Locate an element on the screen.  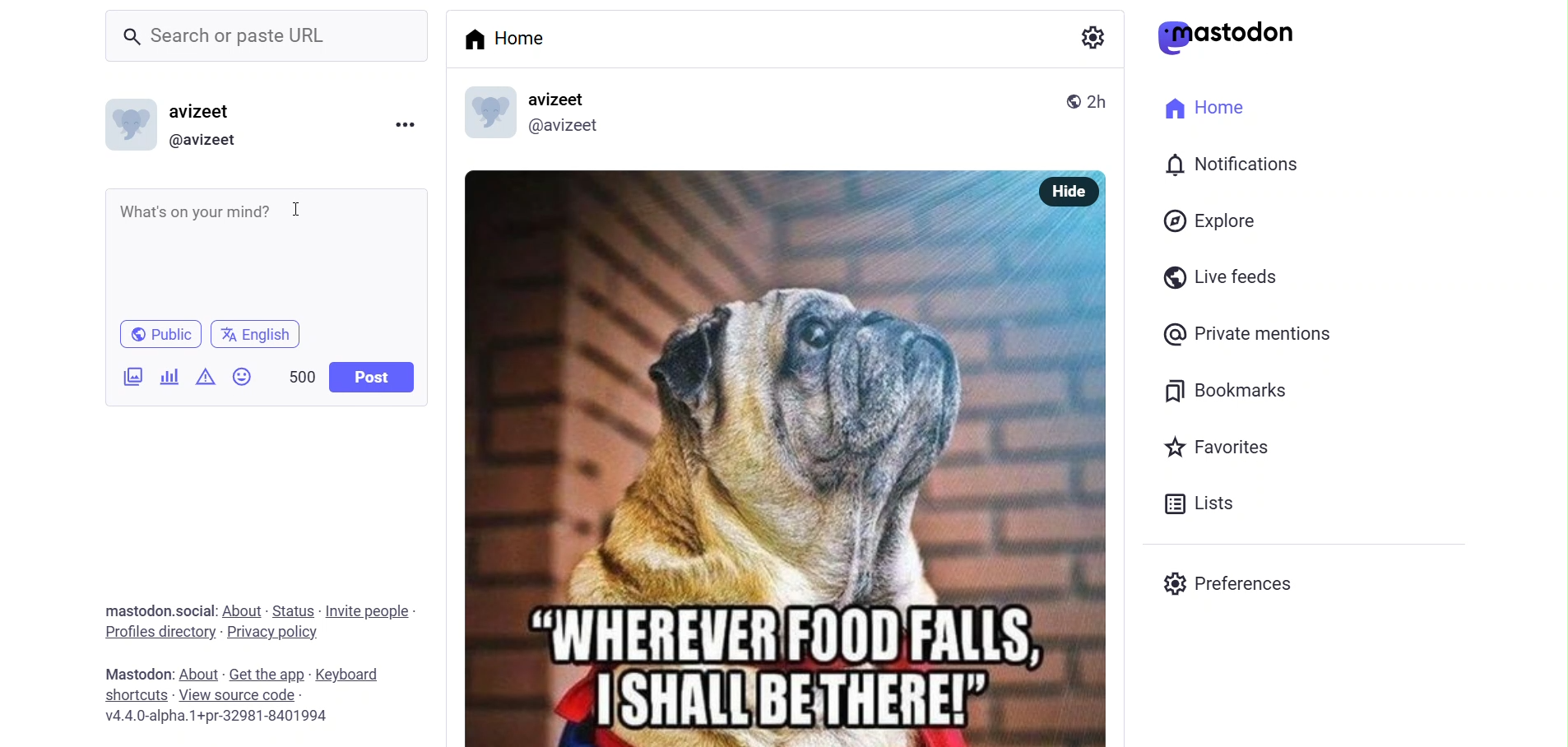
list is located at coordinates (1213, 504).